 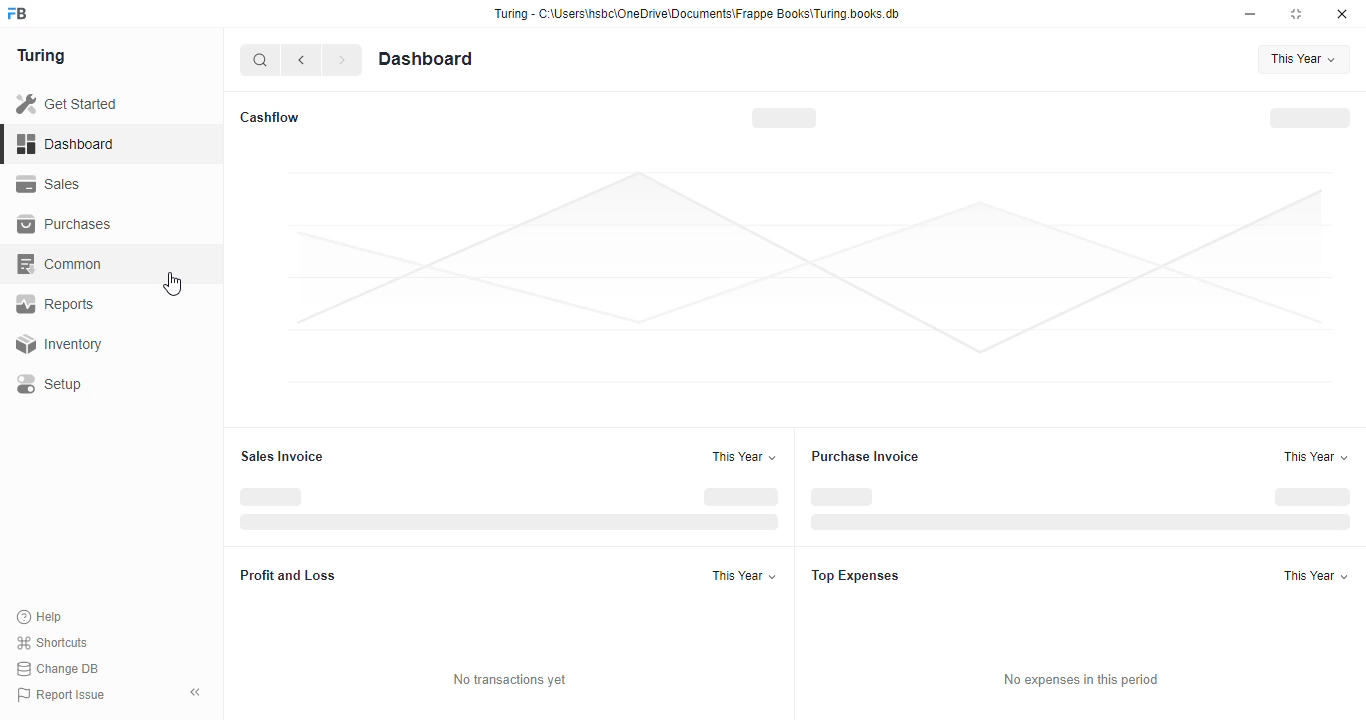 What do you see at coordinates (856, 575) in the screenshot?
I see `top expenses` at bounding box center [856, 575].